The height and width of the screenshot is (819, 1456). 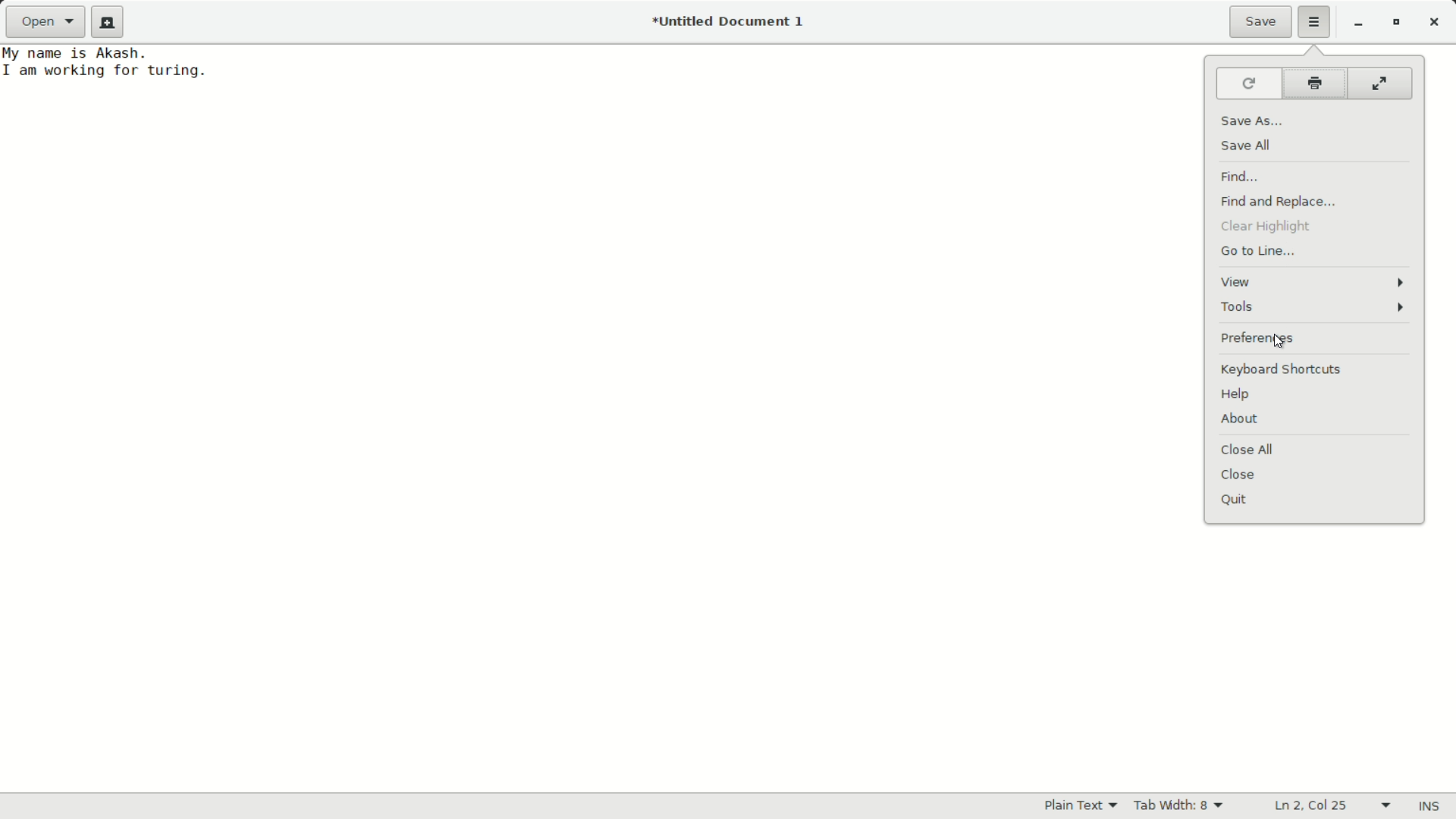 What do you see at coordinates (1257, 338) in the screenshot?
I see `preferences` at bounding box center [1257, 338].